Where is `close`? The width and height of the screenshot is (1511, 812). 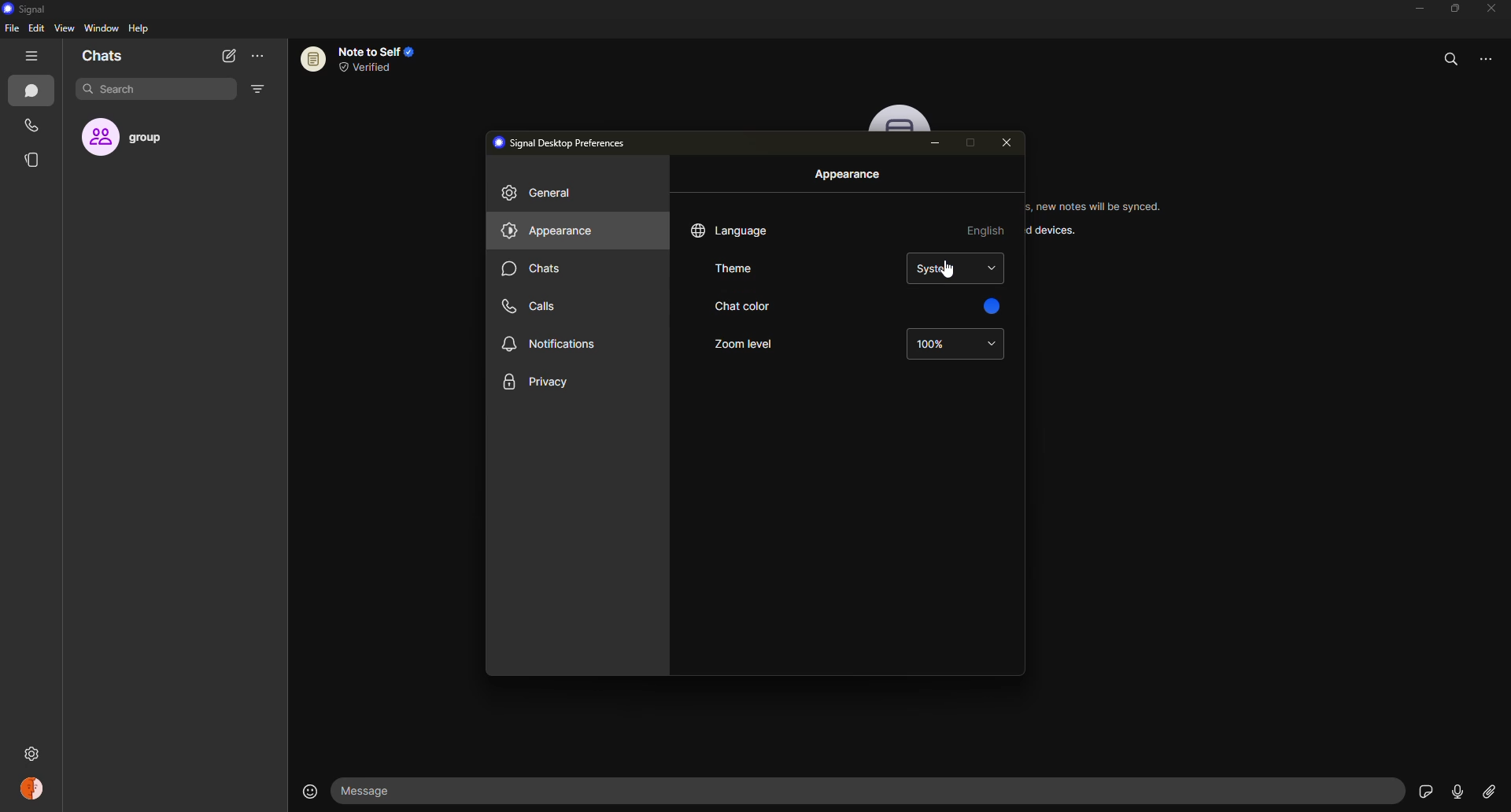
close is located at coordinates (1008, 142).